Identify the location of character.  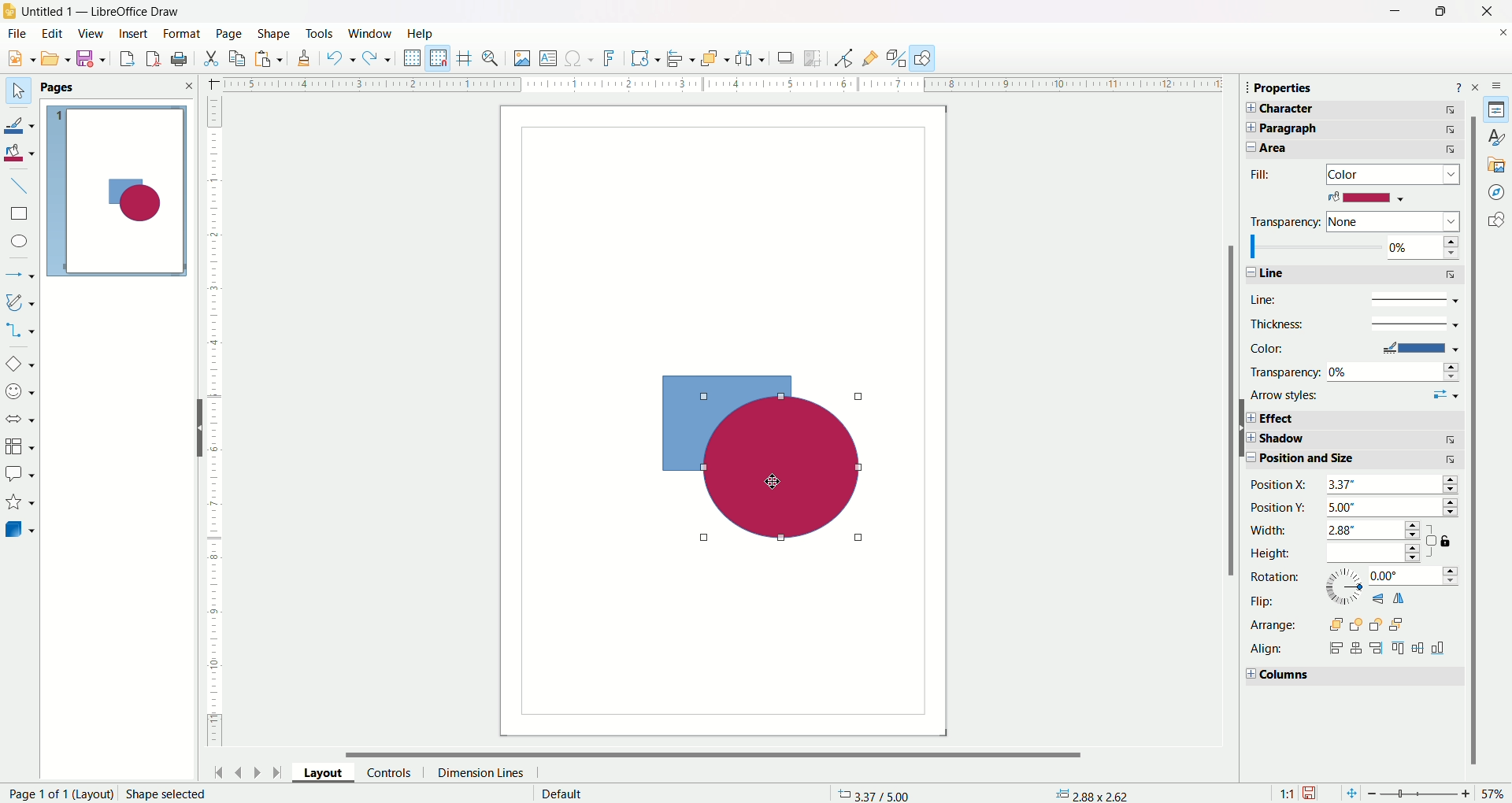
(1360, 109).